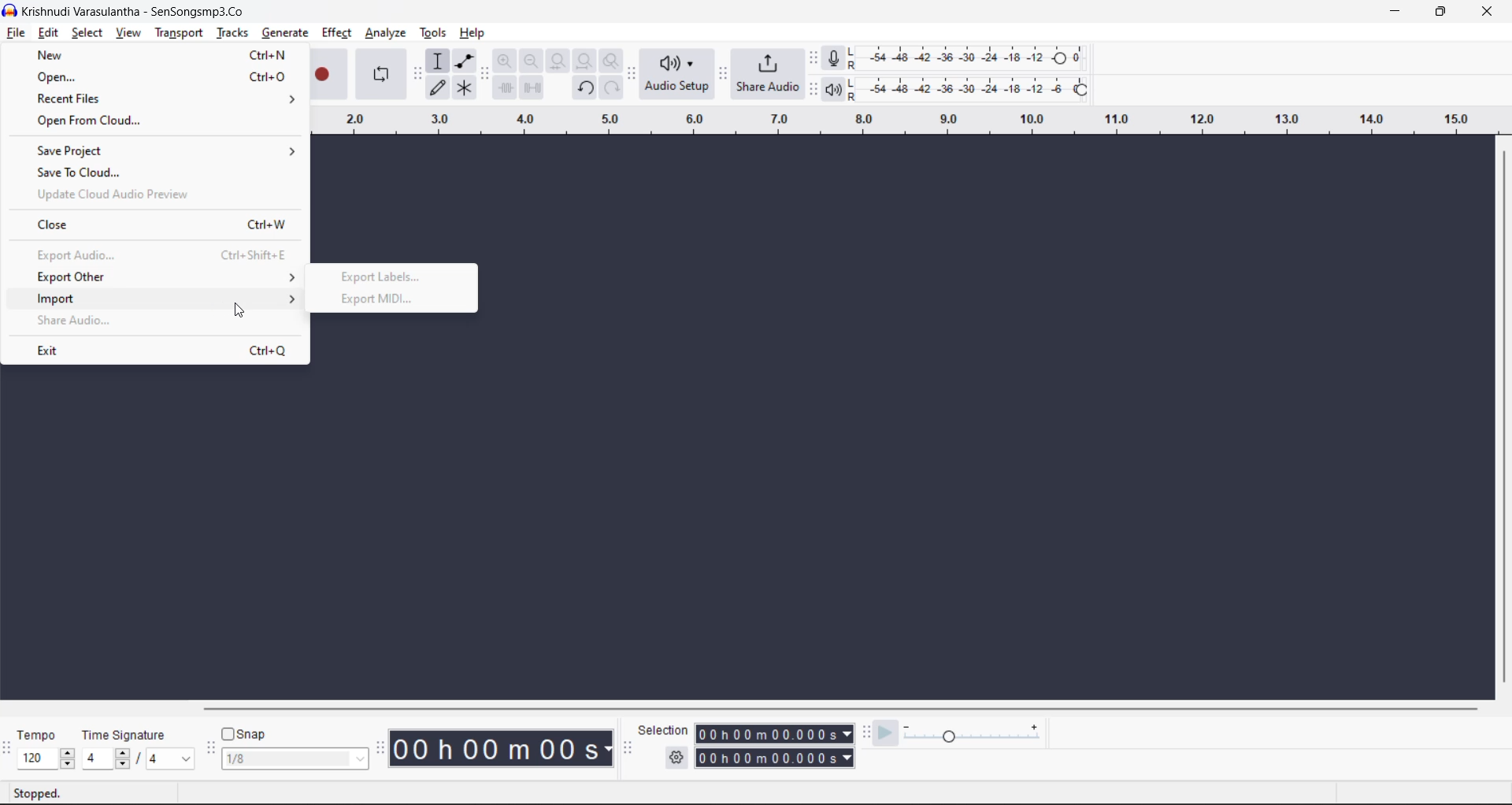 Image resolution: width=1512 pixels, height=805 pixels. What do you see at coordinates (46, 759) in the screenshot?
I see `speed selector` at bounding box center [46, 759].